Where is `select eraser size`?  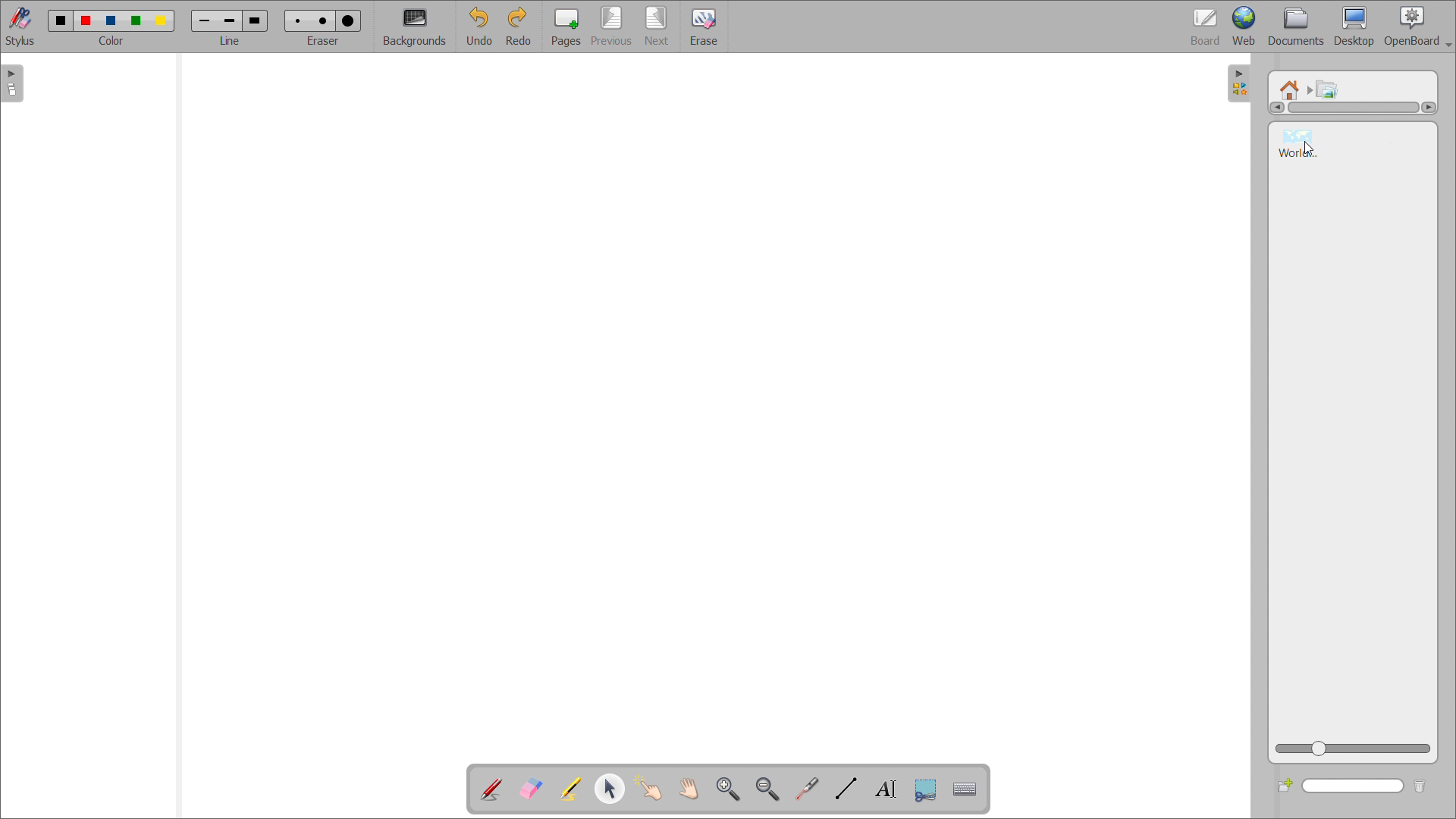
select eraser size is located at coordinates (324, 27).